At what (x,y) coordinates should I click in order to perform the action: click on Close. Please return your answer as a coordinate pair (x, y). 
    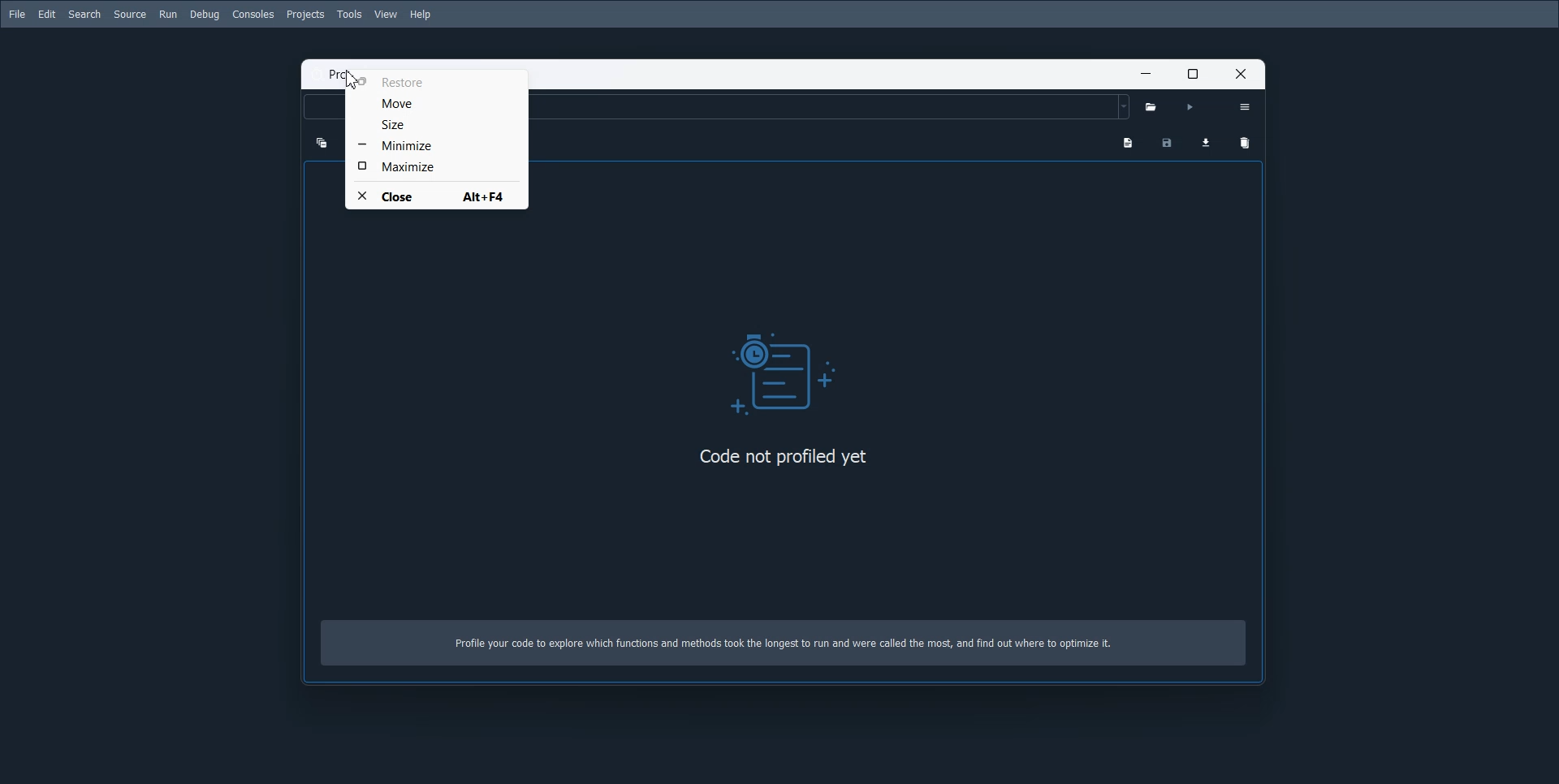
    Looking at the image, I should click on (433, 196).